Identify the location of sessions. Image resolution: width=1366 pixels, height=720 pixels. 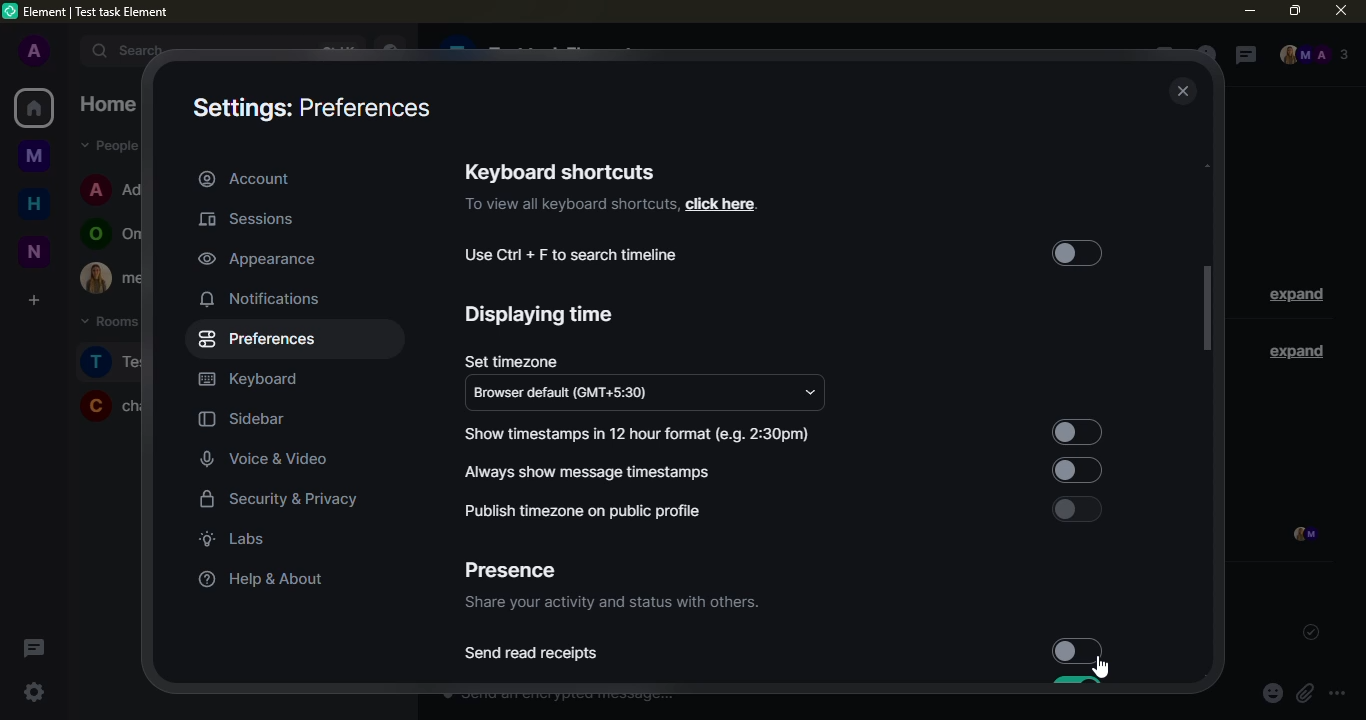
(253, 220).